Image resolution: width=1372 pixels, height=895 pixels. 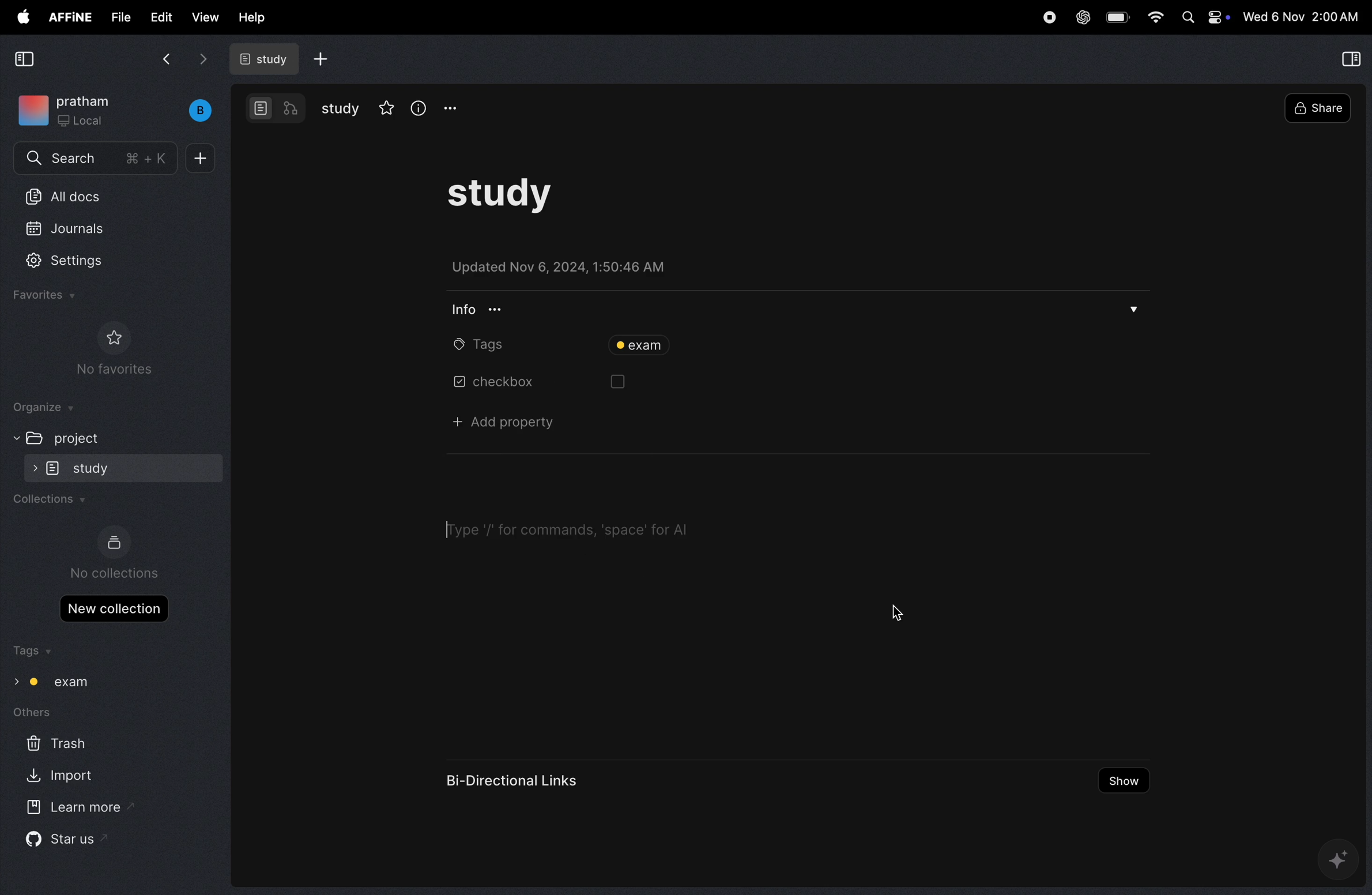 I want to click on favourites, so click(x=388, y=108).